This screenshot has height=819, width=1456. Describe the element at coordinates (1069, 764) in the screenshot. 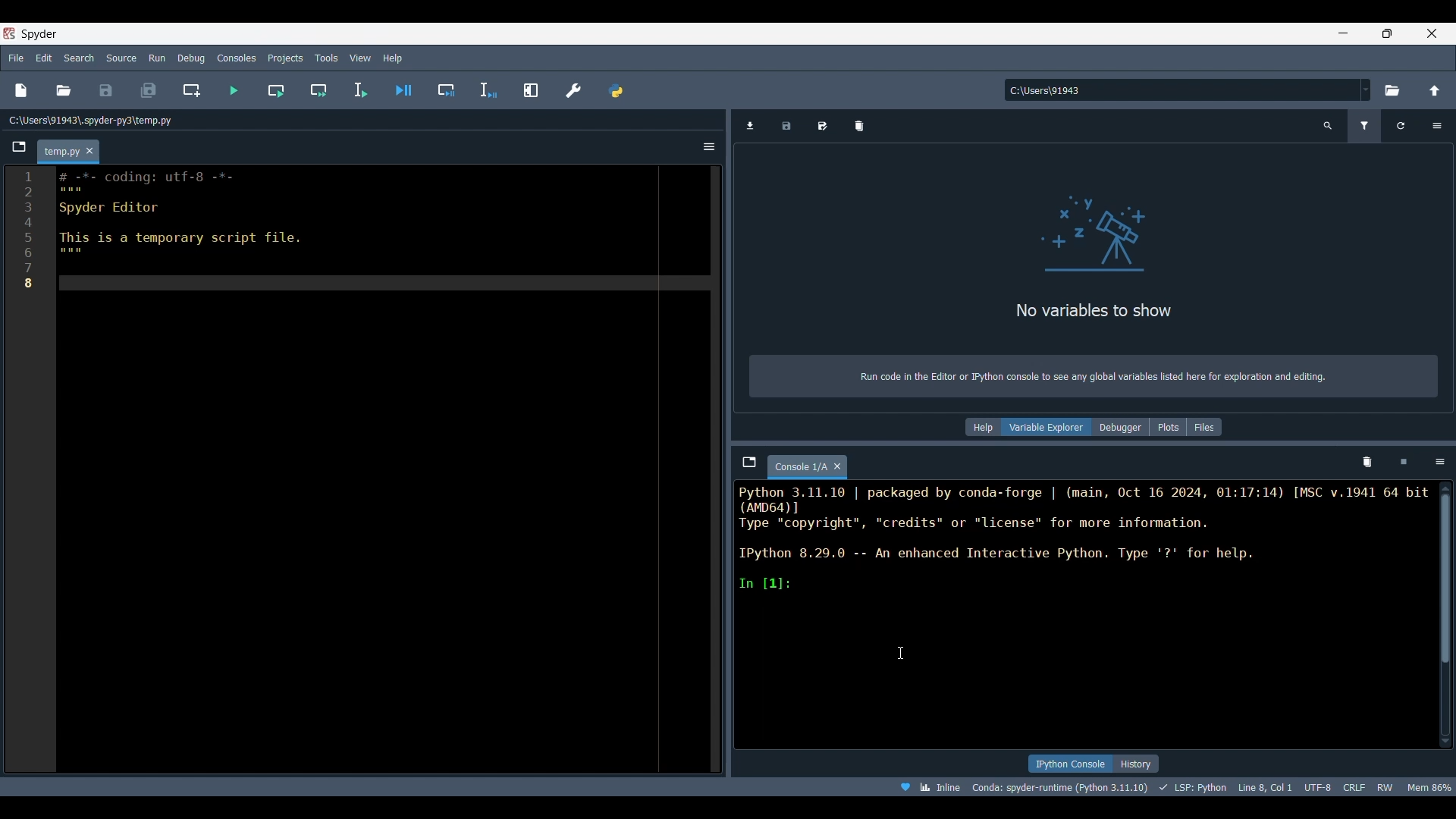

I see `IPython console` at that location.